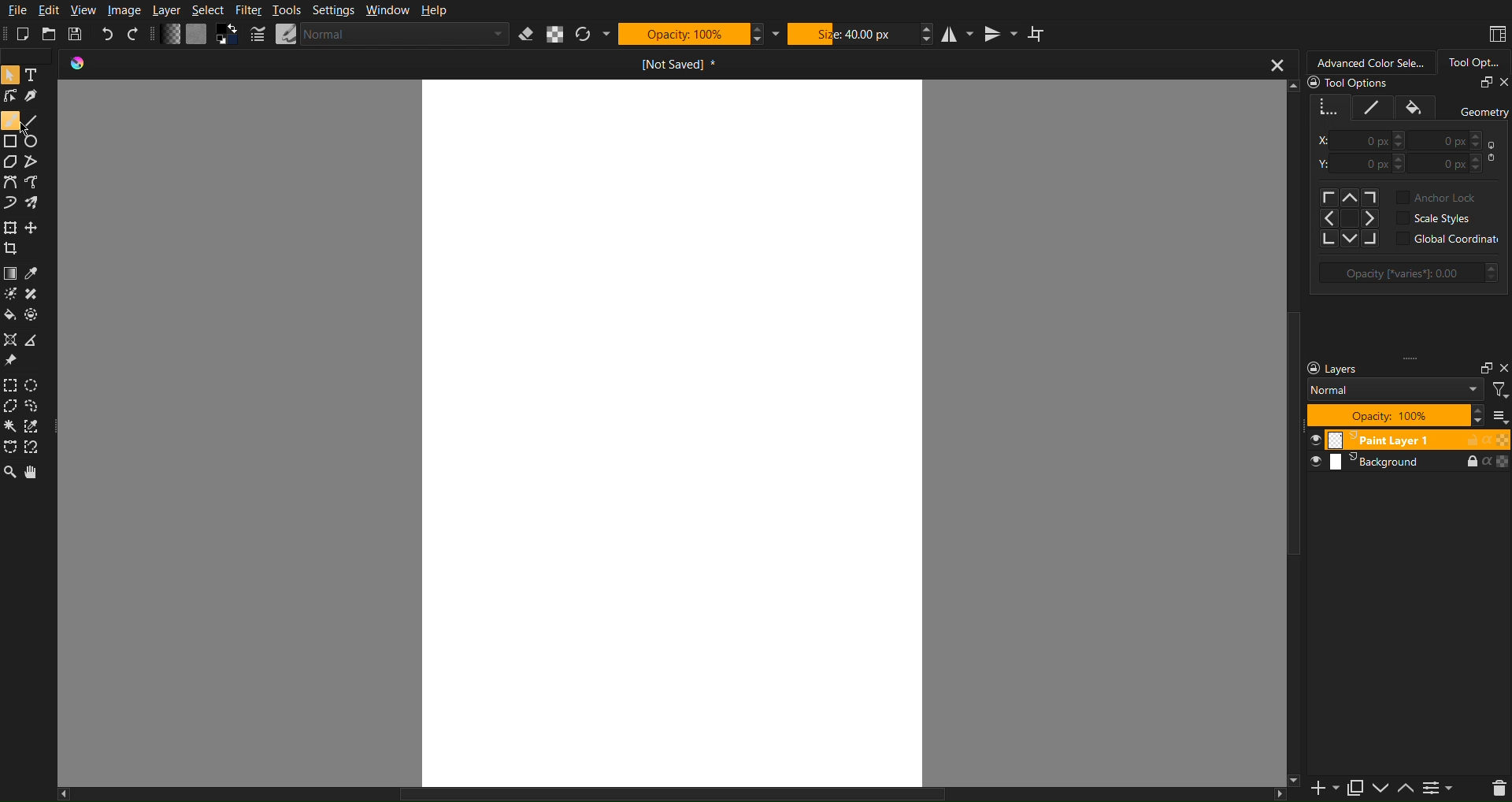  Describe the element at coordinates (1369, 62) in the screenshot. I see `Advanced Color Selector` at that location.